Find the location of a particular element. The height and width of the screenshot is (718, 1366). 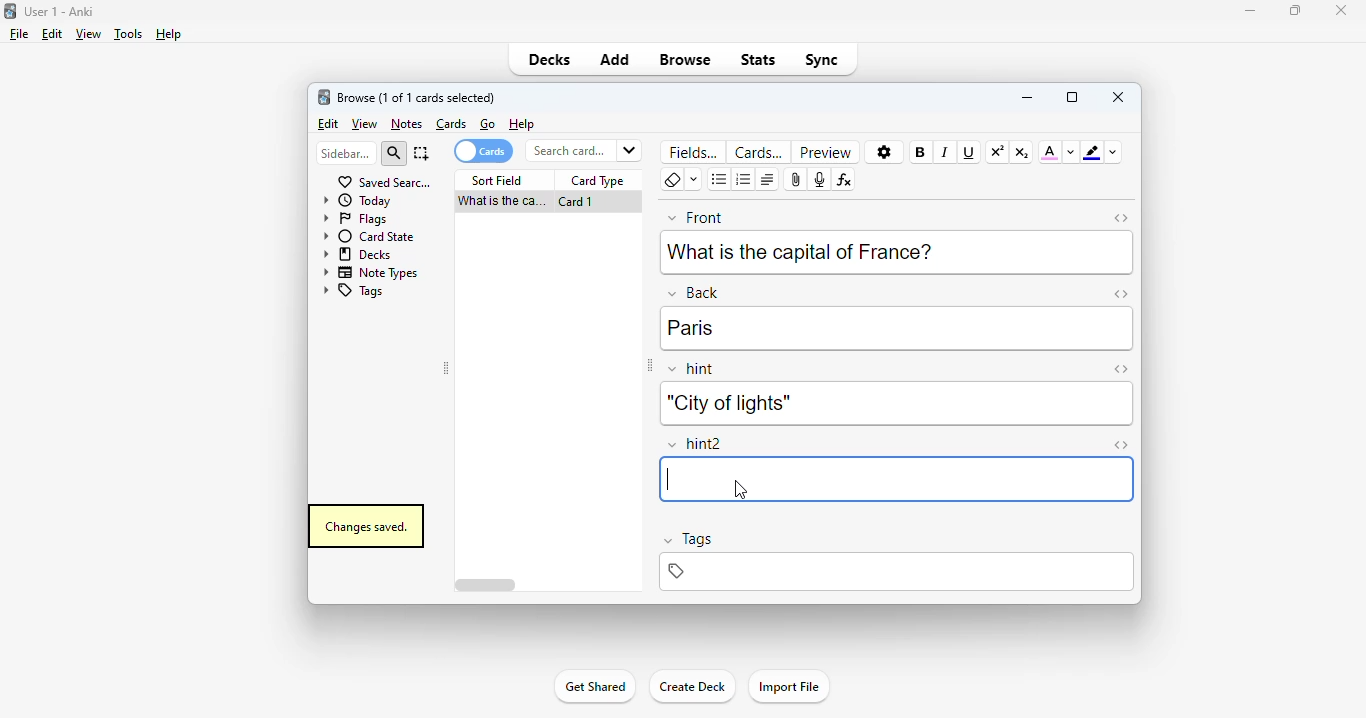

sidebar filter is located at coordinates (346, 153).